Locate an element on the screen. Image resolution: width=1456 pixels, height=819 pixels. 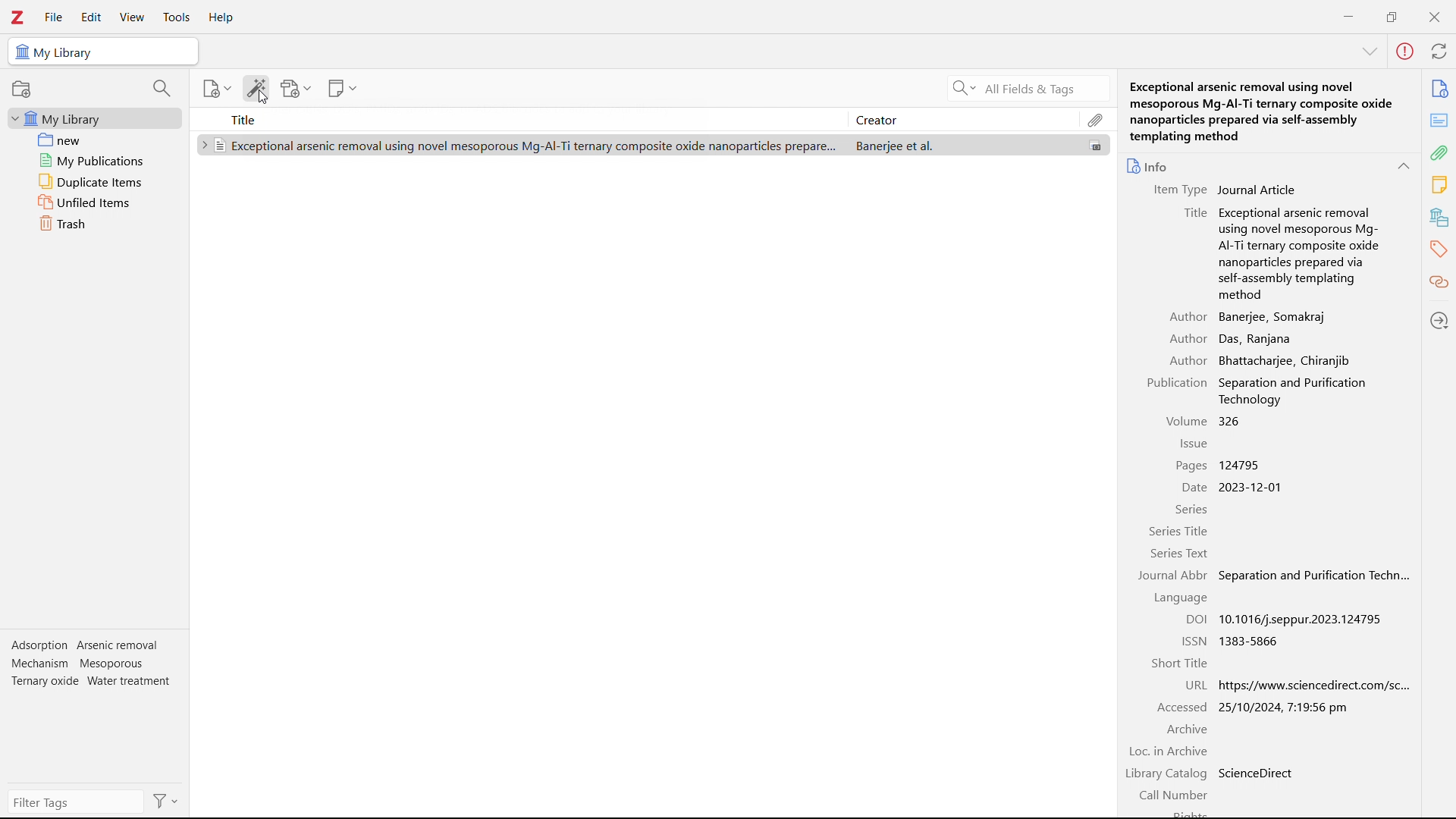
actions is located at coordinates (166, 801).